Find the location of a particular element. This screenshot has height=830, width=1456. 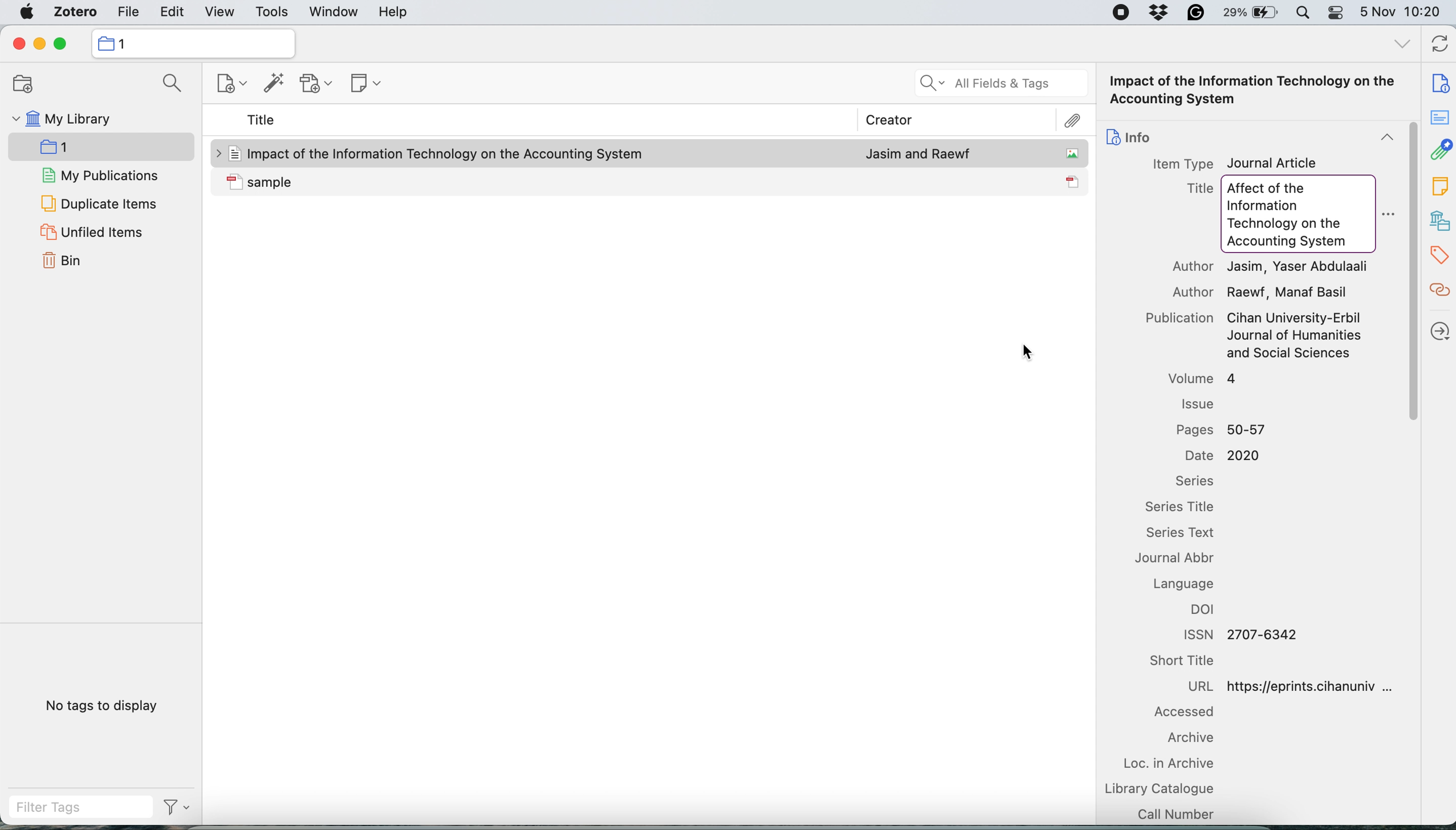

archive is located at coordinates (1190, 738).